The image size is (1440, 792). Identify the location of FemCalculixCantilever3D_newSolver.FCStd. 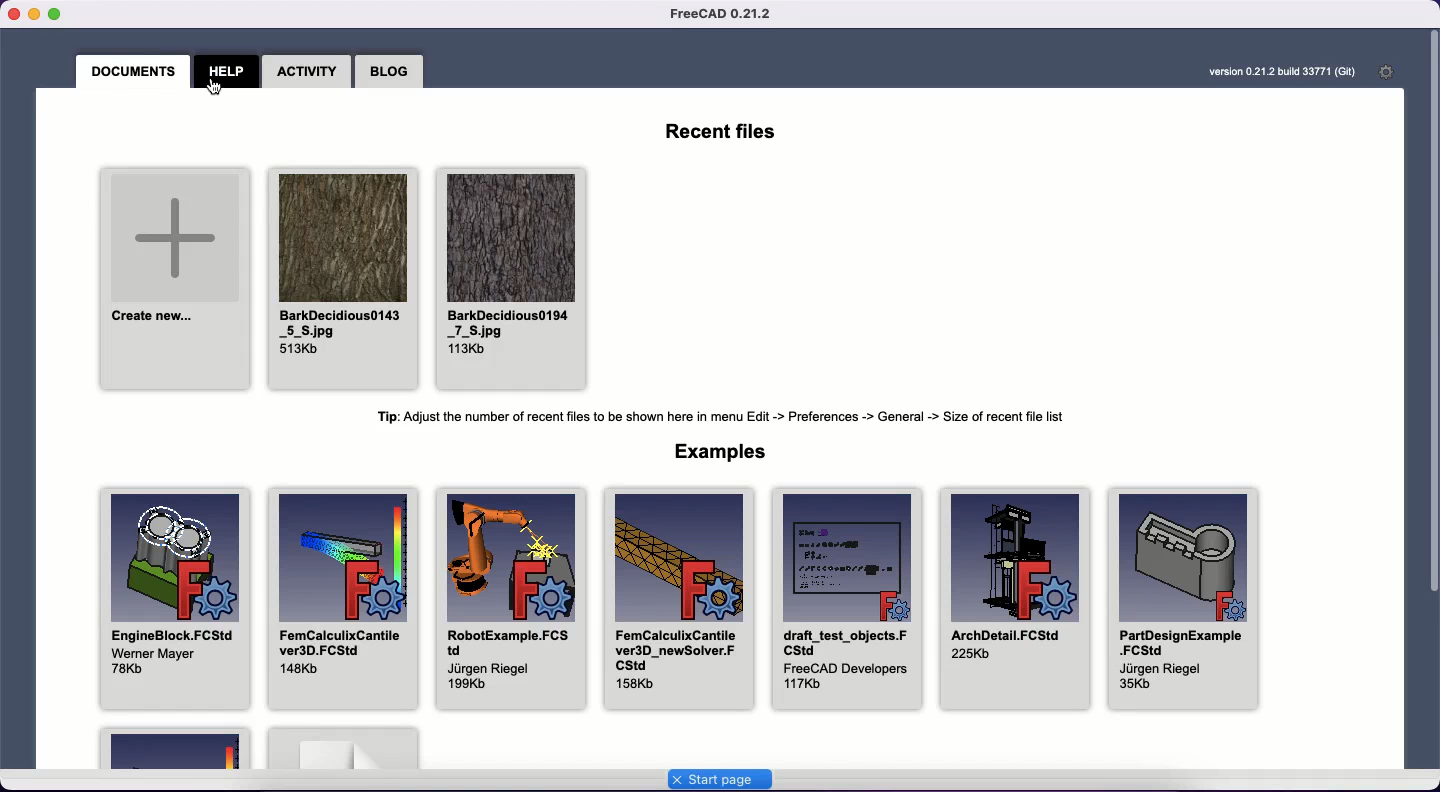
(674, 598).